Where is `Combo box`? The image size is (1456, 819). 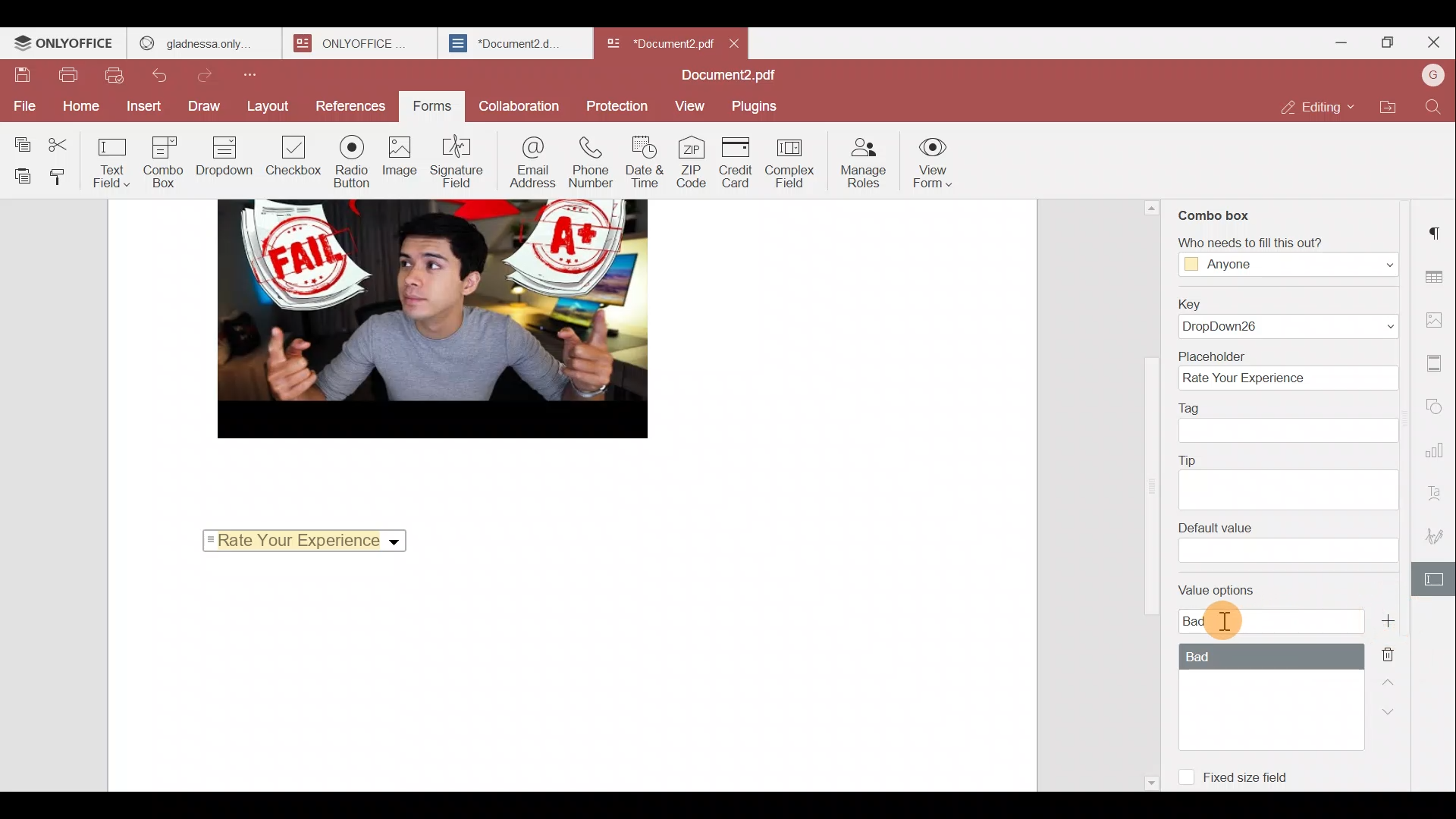
Combo box is located at coordinates (1216, 212).